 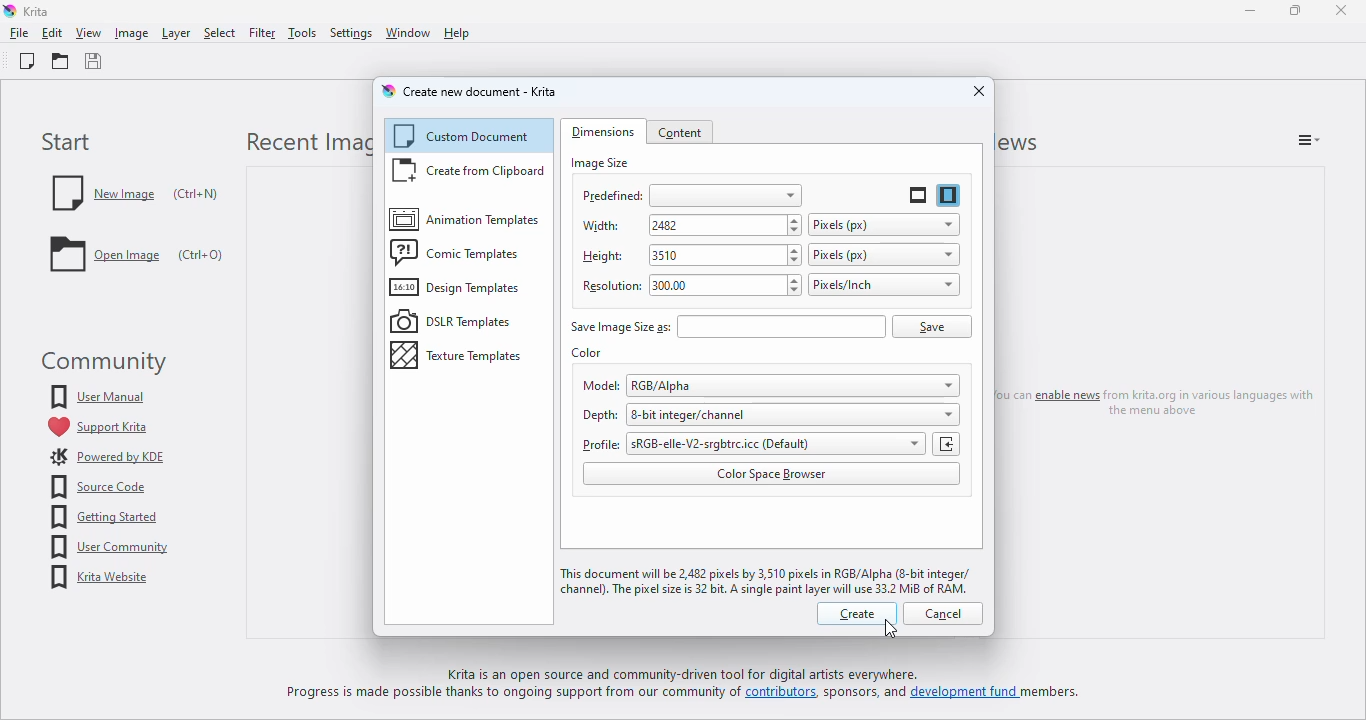 I want to click on color space browser, so click(x=771, y=474).